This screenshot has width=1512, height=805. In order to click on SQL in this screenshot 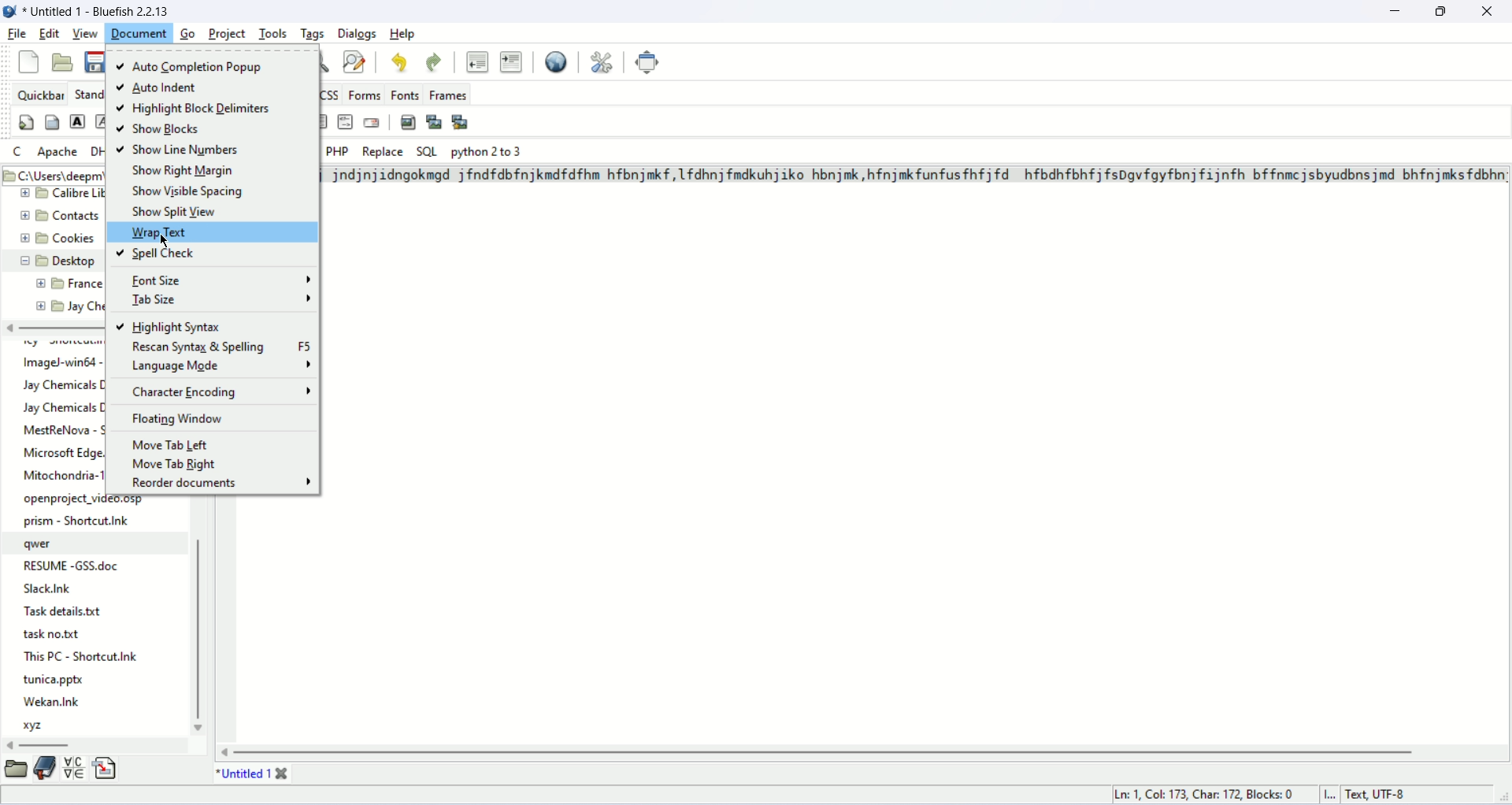, I will do `click(427, 152)`.